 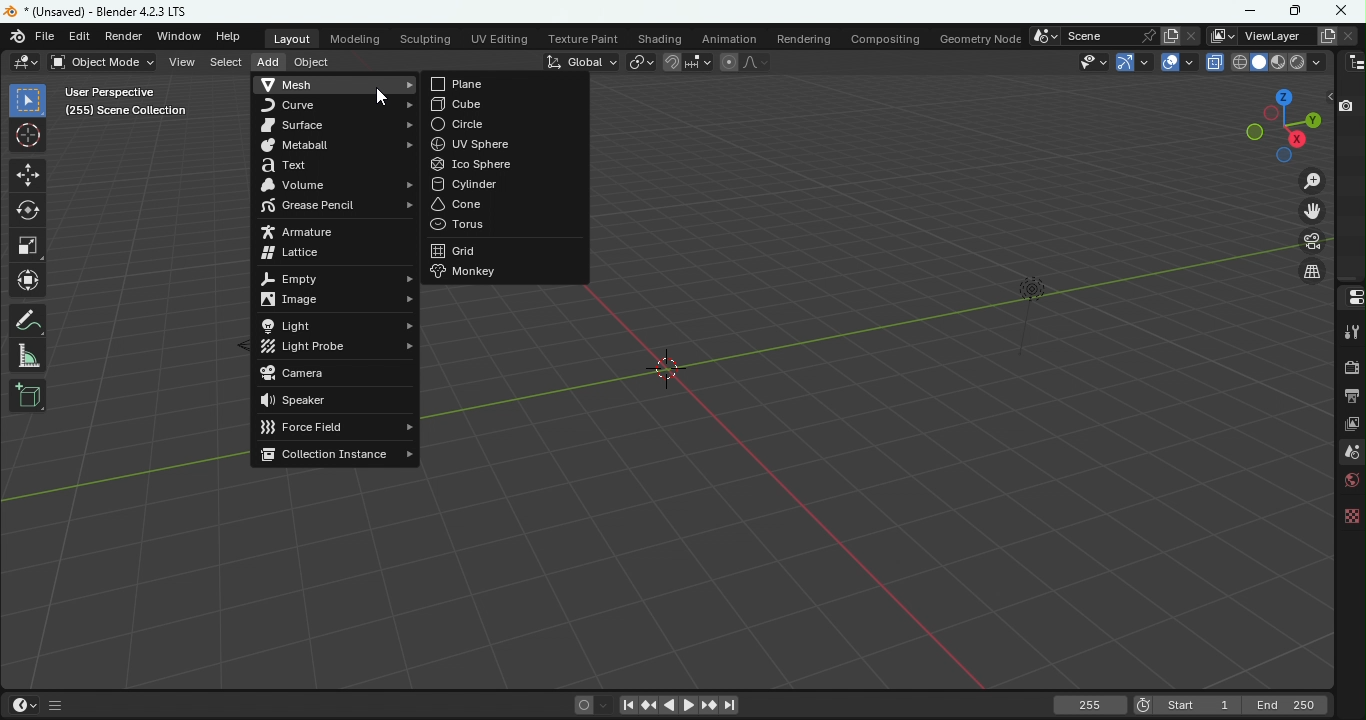 What do you see at coordinates (888, 37) in the screenshot?
I see `Compositing` at bounding box center [888, 37].